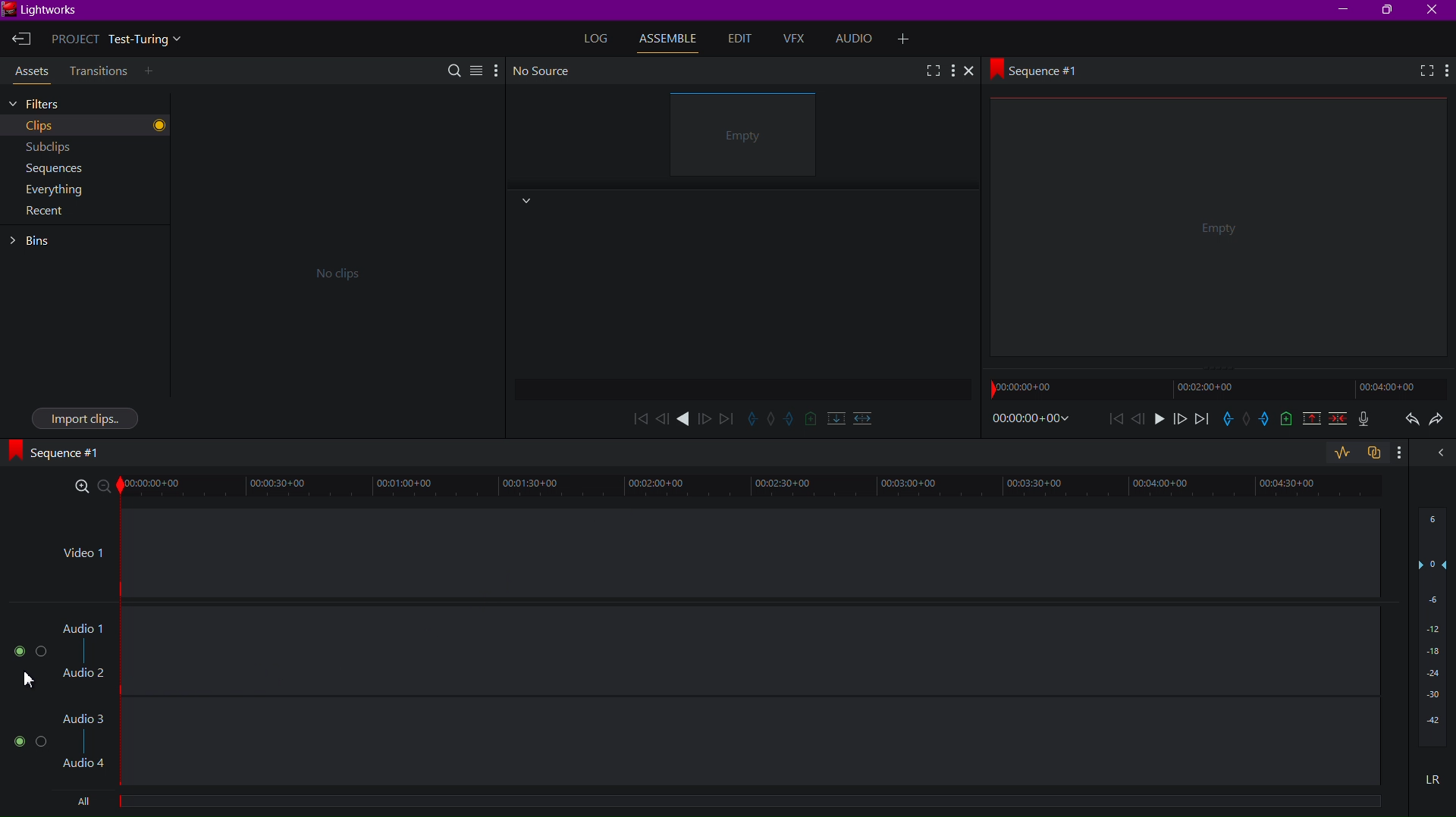 This screenshot has width=1456, height=817. Describe the element at coordinates (1335, 421) in the screenshot. I see `merge` at that location.